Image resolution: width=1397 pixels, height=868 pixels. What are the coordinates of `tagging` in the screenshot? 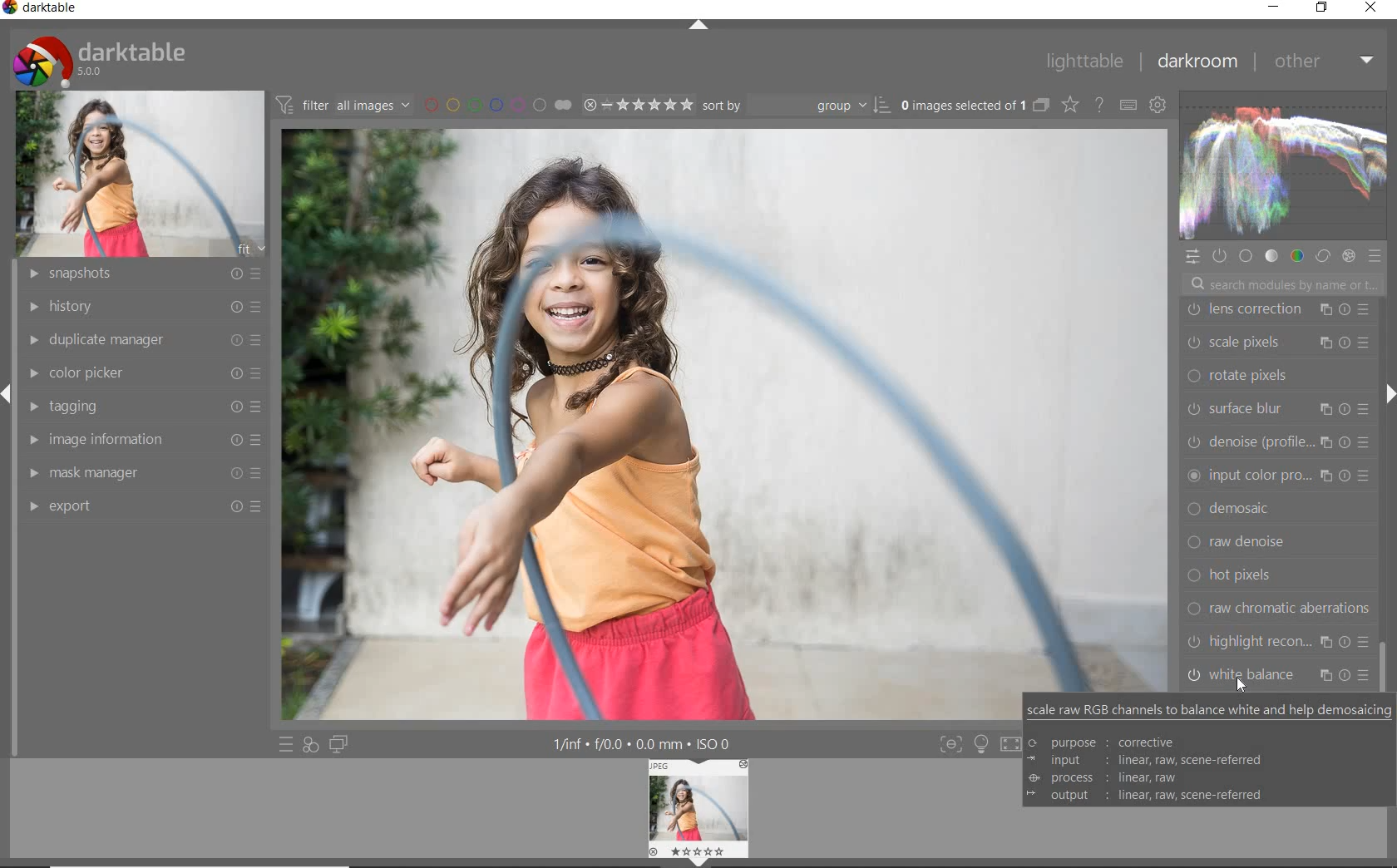 It's located at (143, 407).